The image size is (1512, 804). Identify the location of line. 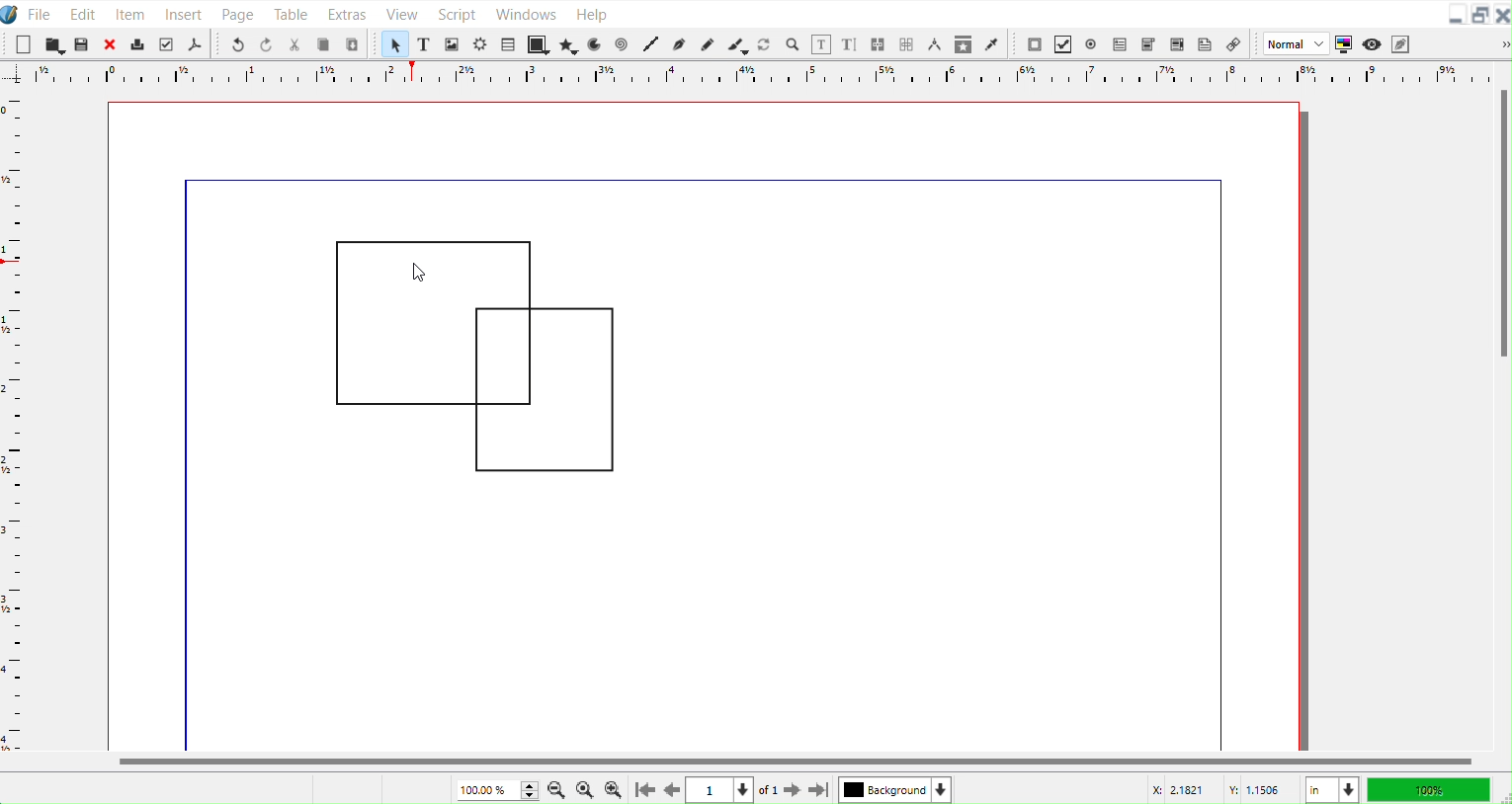
(1220, 471).